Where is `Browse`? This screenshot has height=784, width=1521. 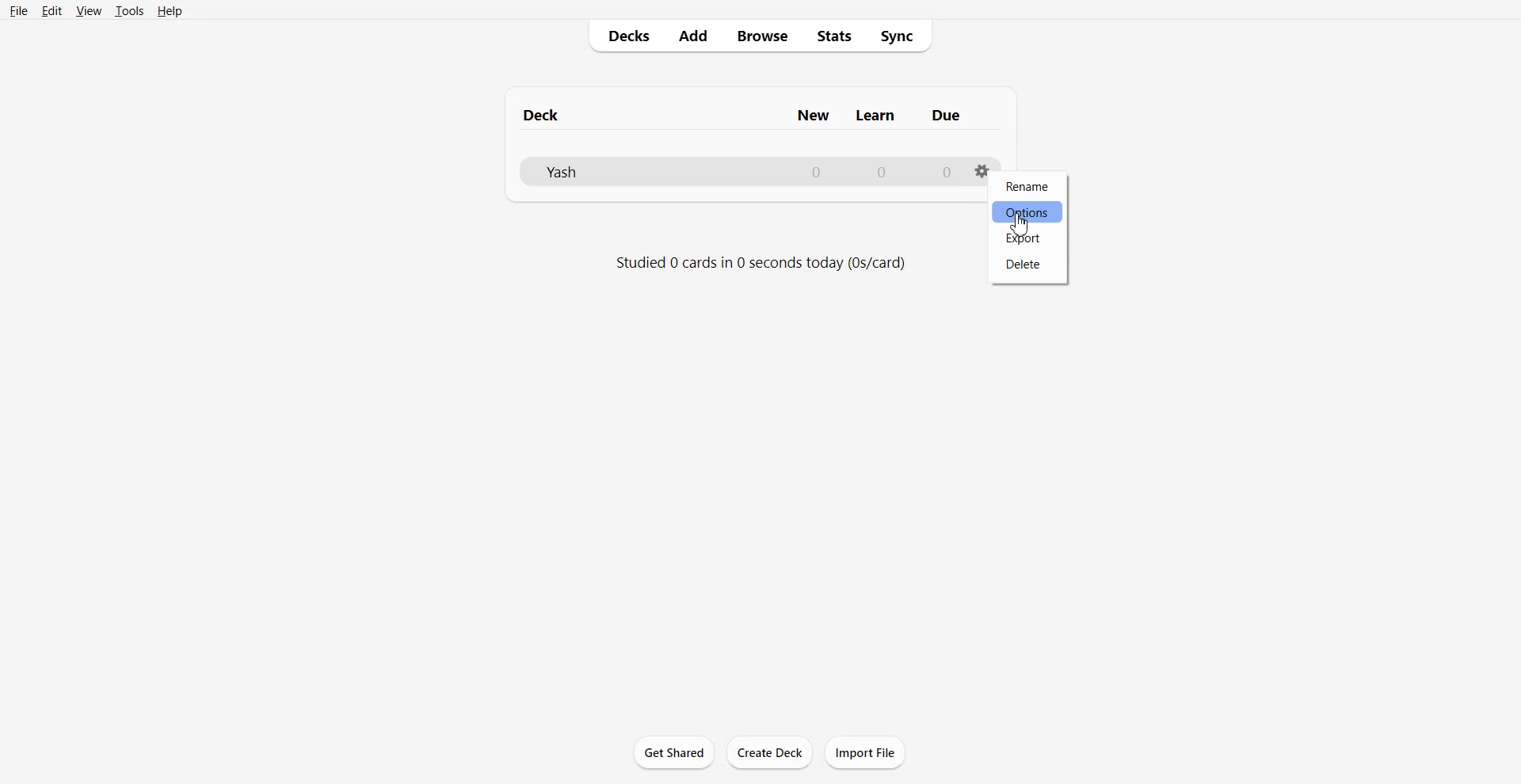
Browse is located at coordinates (760, 36).